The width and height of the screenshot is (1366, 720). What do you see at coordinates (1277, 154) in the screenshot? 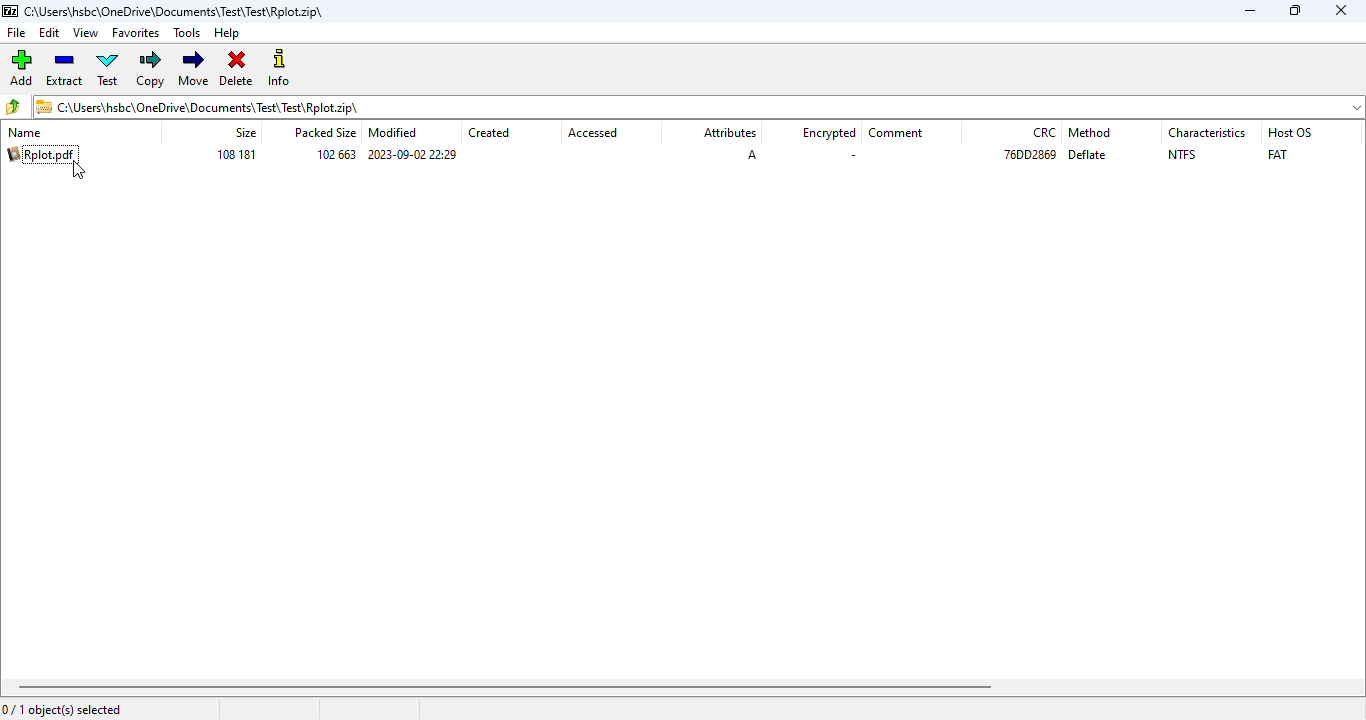
I see `FAT` at bounding box center [1277, 154].